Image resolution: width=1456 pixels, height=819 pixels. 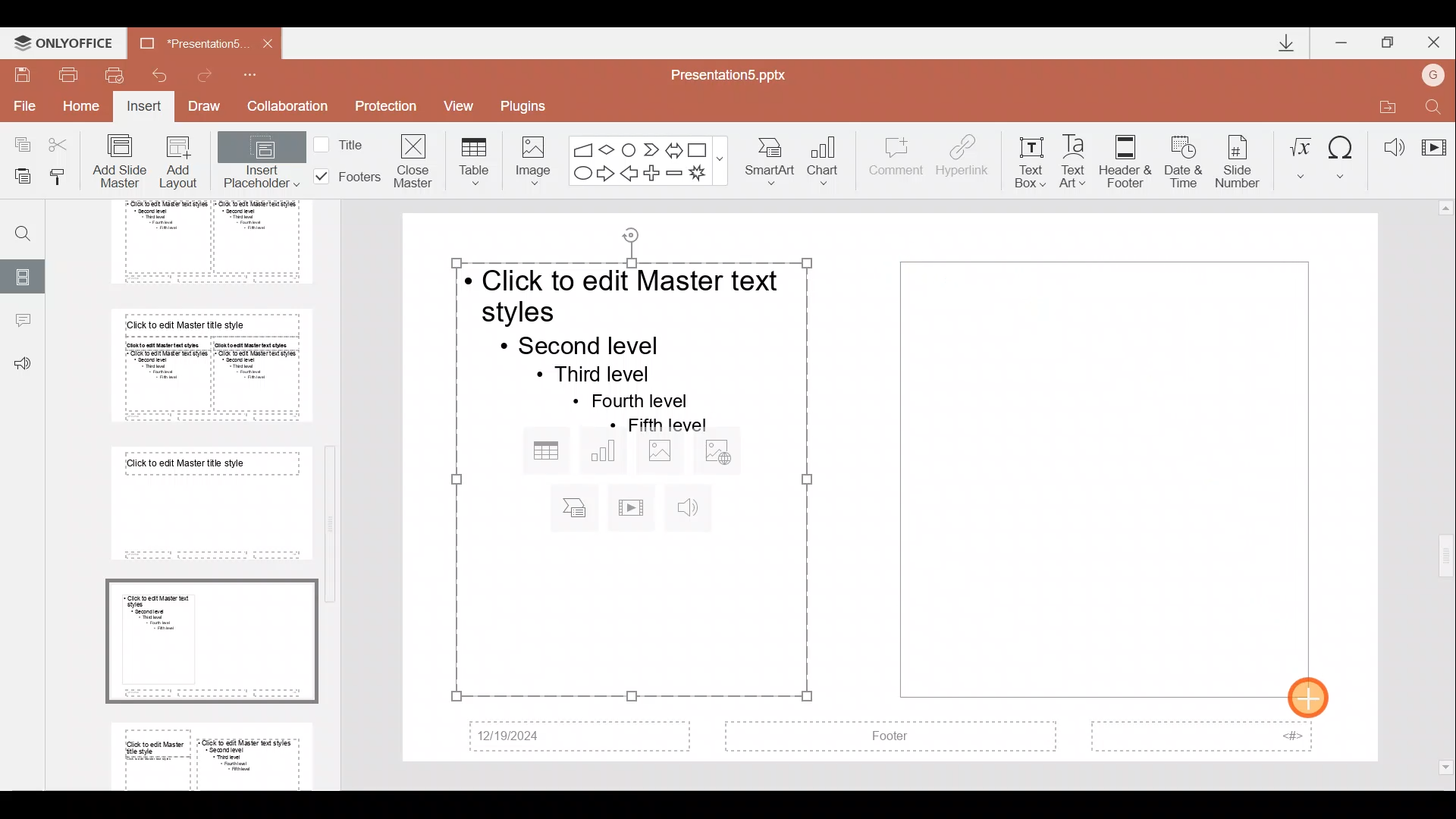 I want to click on Hyperlink, so click(x=964, y=158).